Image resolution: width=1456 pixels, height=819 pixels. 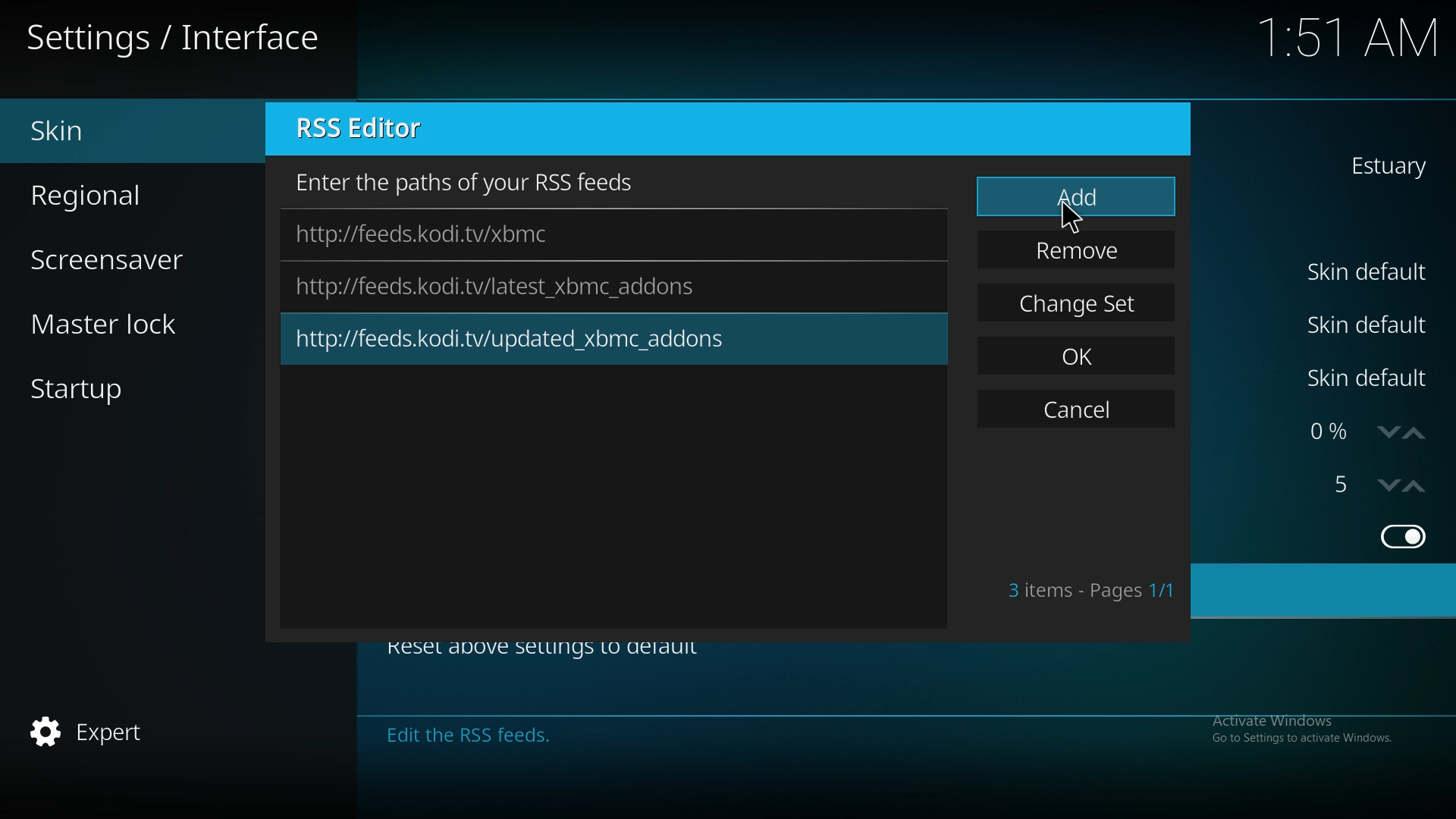 What do you see at coordinates (126, 258) in the screenshot?
I see `screensaver` at bounding box center [126, 258].